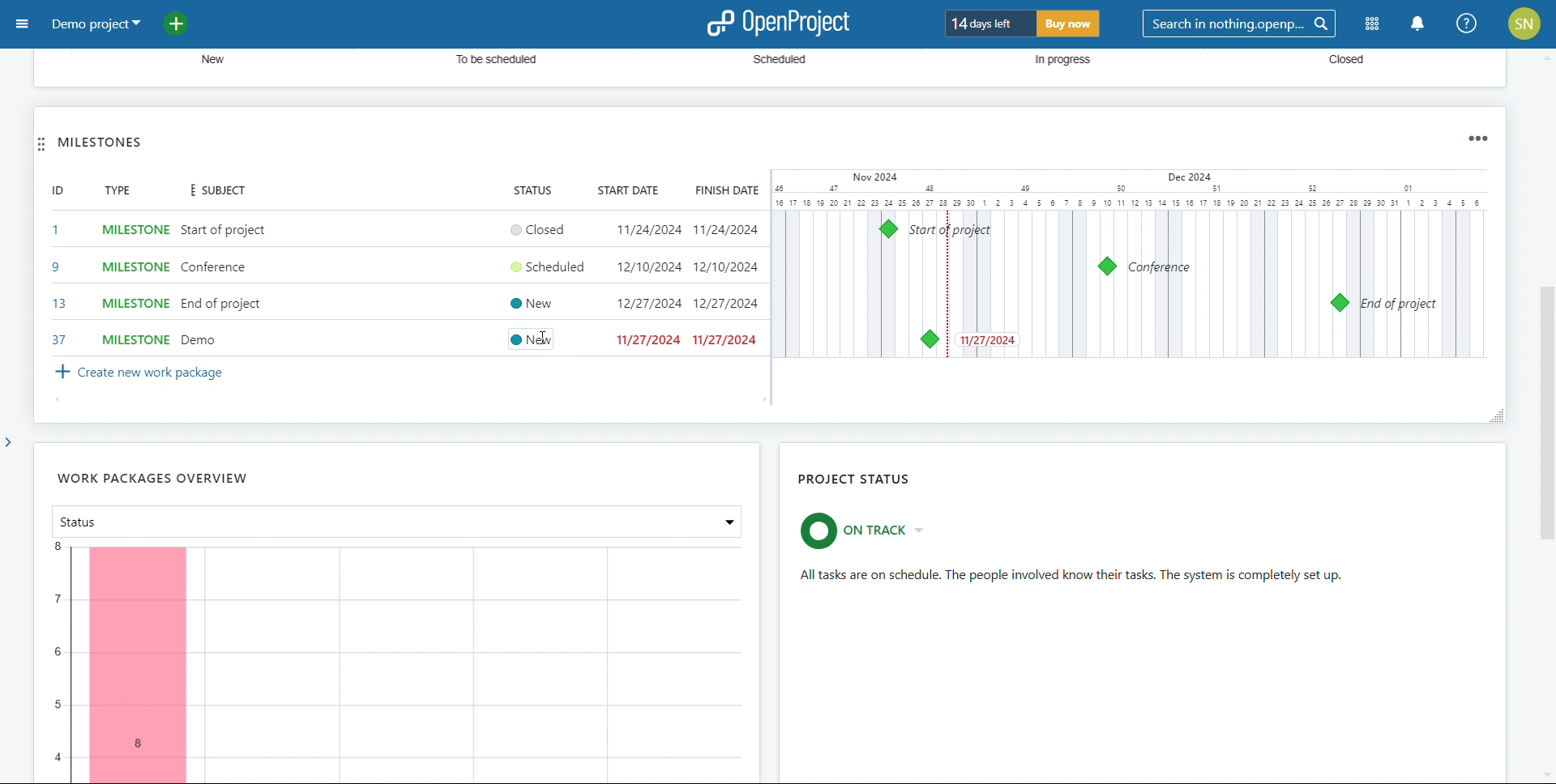 This screenshot has height=784, width=1556. Describe the element at coordinates (780, 61) in the screenshot. I see `‘Scheduled` at that location.